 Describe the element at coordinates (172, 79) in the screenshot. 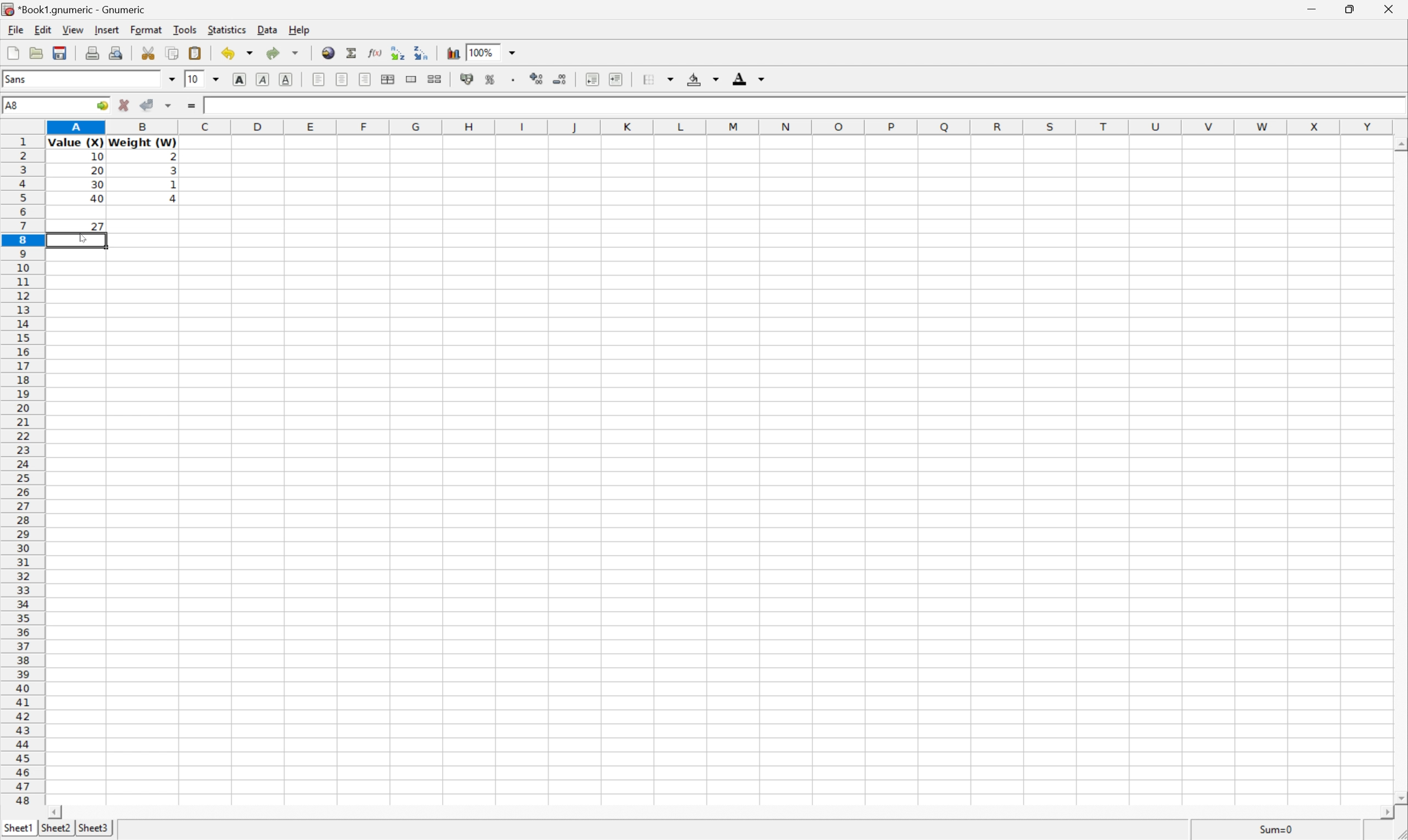

I see `Drop Down` at that location.